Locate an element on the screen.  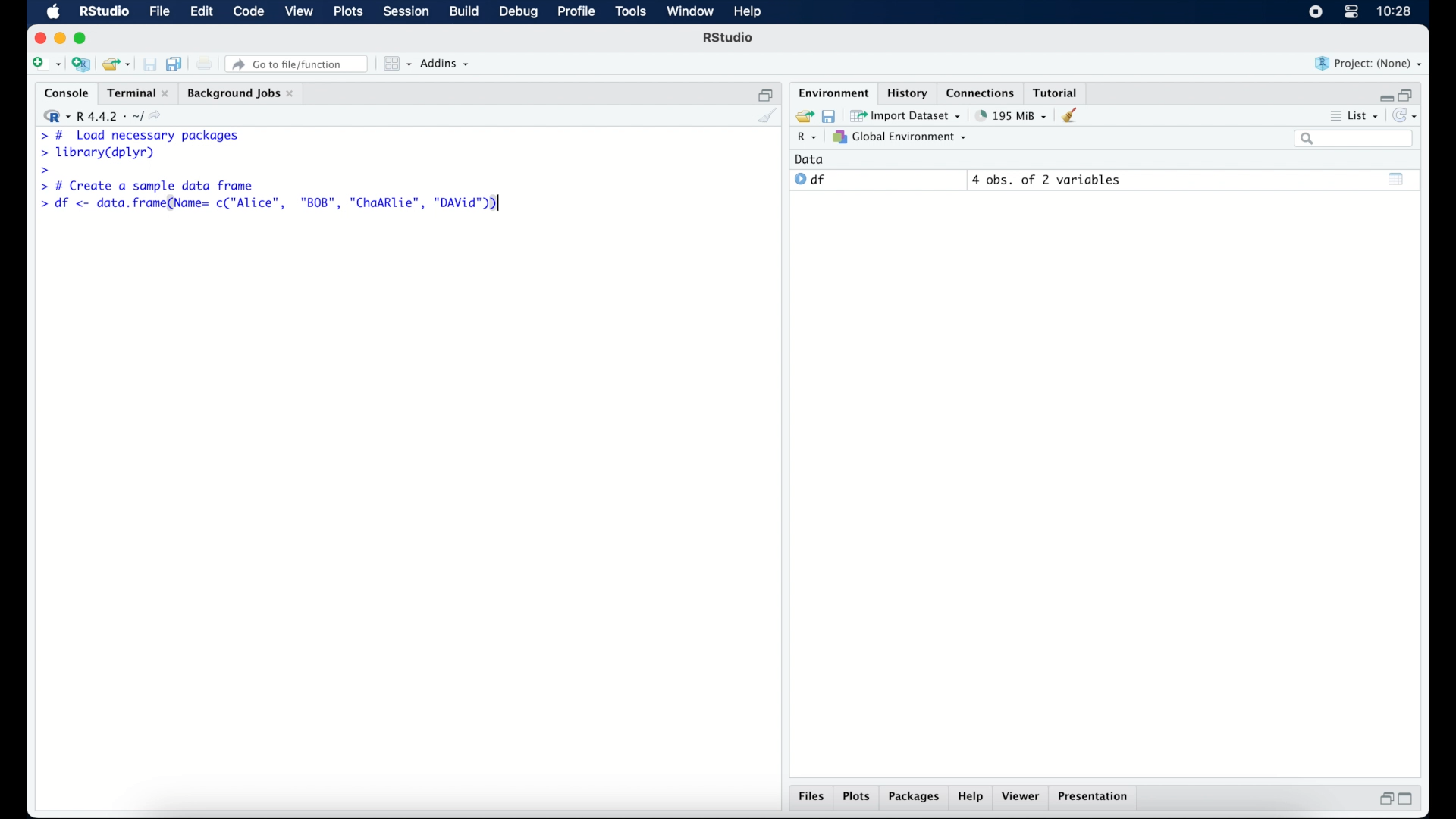
clear workspace is located at coordinates (1075, 116).